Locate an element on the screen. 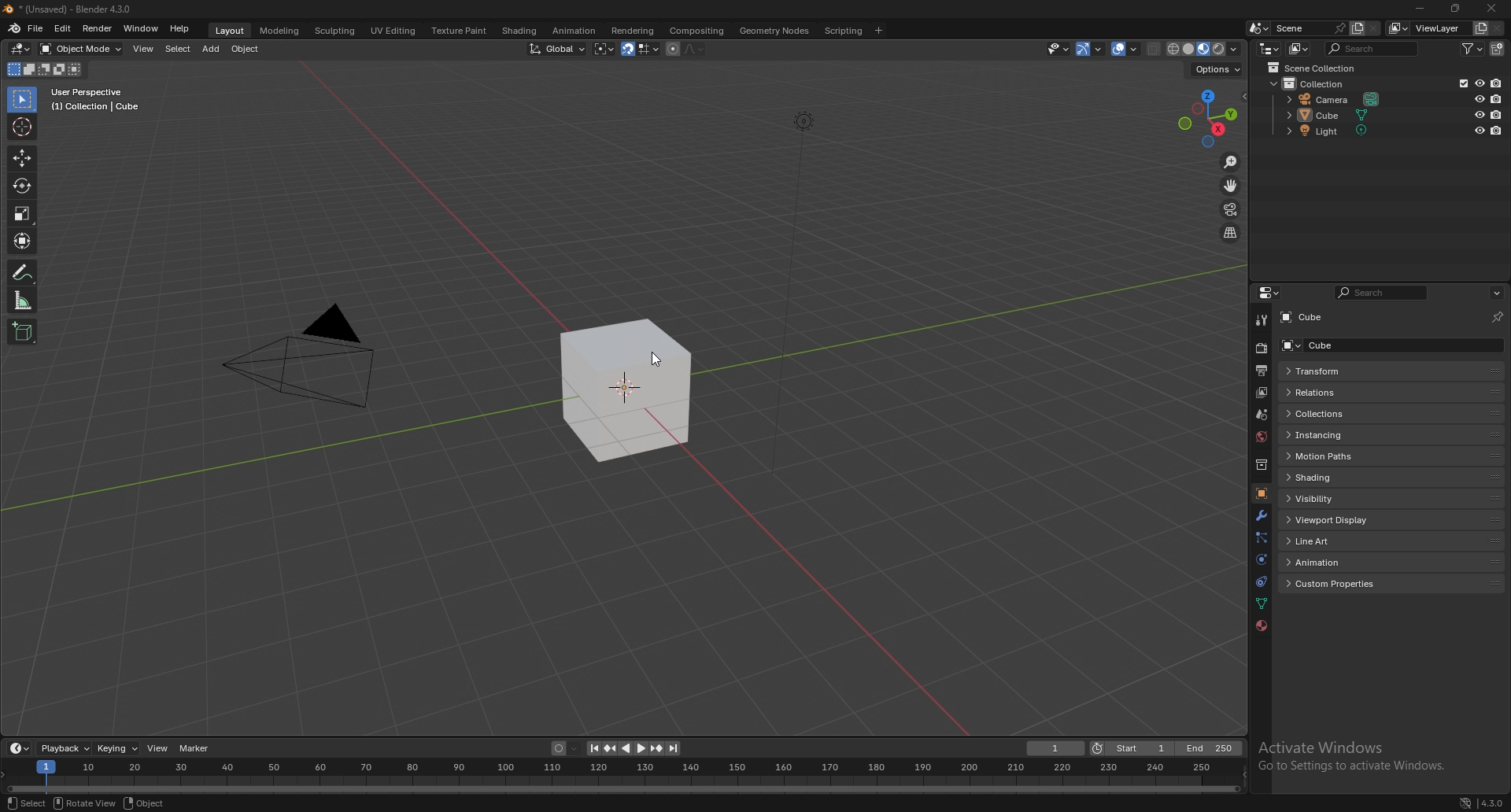   is located at coordinates (801, 303).